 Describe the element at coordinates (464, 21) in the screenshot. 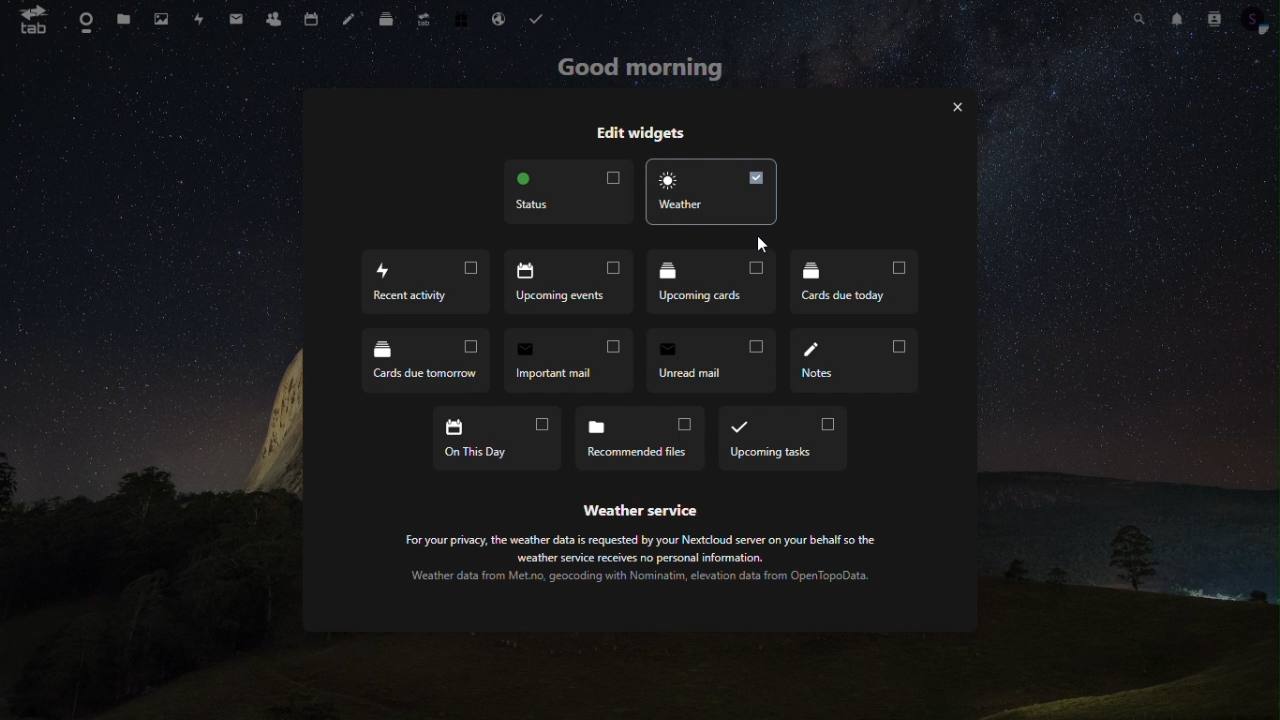

I see `free trial` at that location.